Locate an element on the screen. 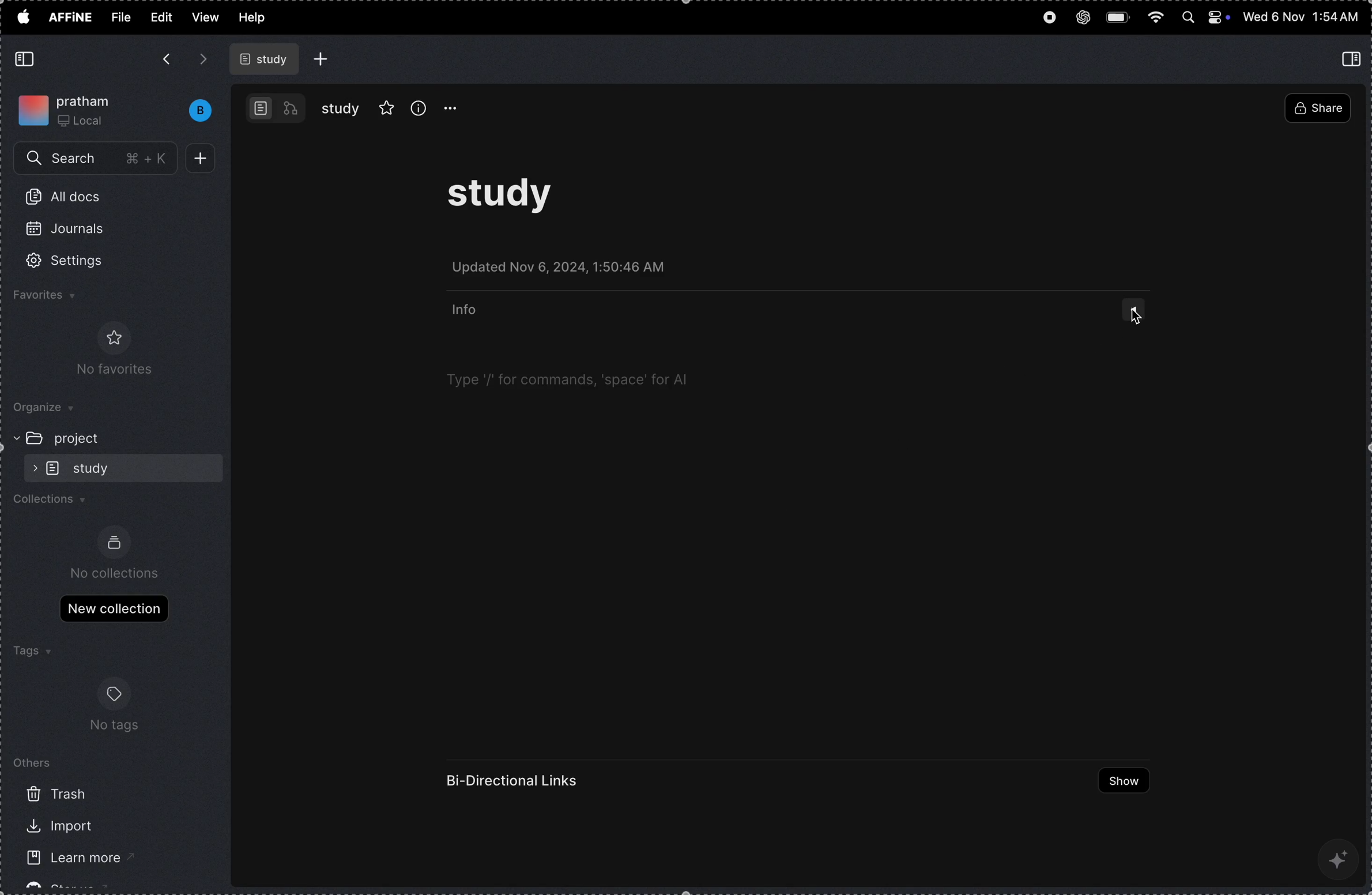 This screenshot has height=895, width=1372. ai is located at coordinates (1340, 858).